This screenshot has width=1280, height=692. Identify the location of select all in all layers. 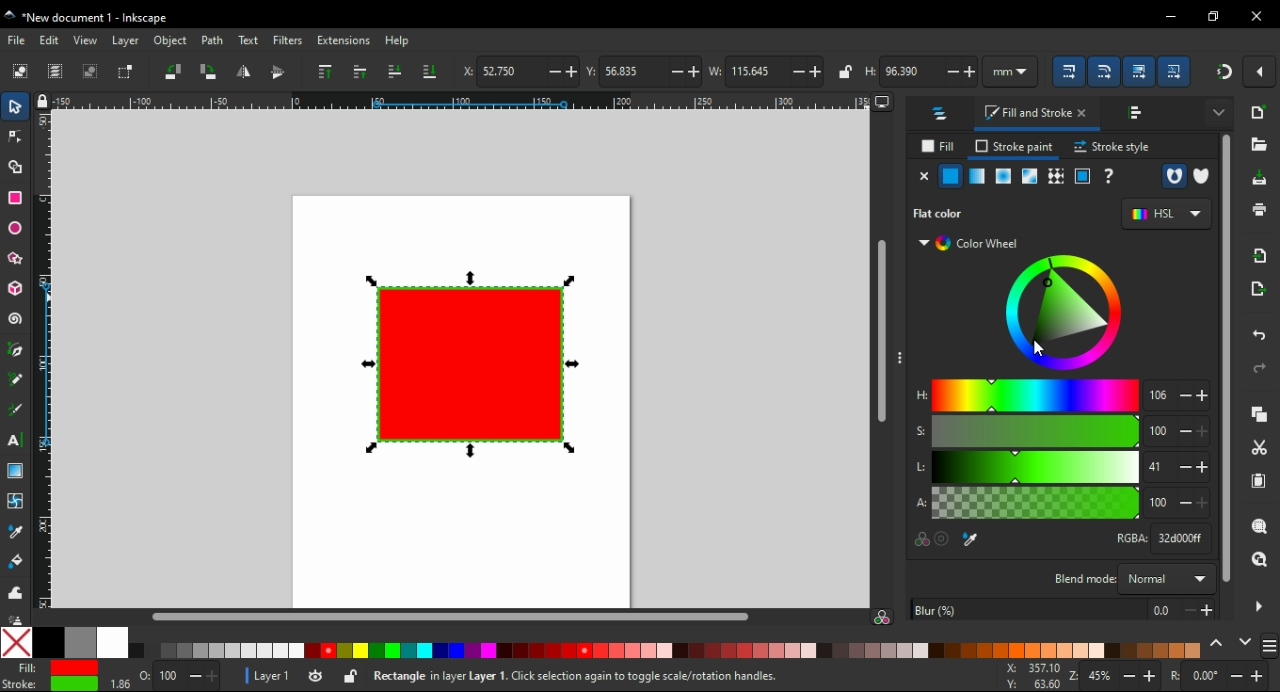
(57, 72).